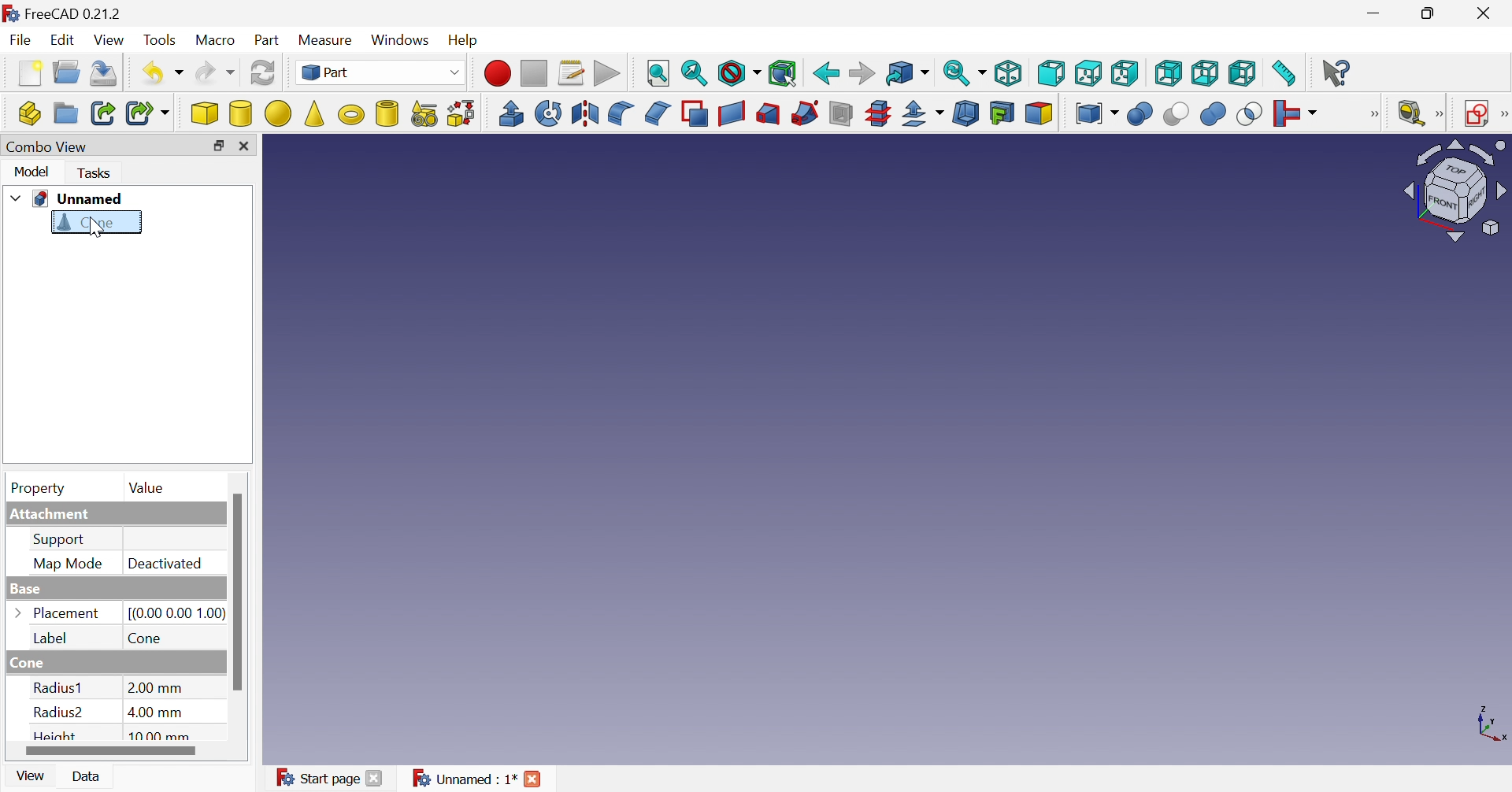 The height and width of the screenshot is (792, 1512). Describe the element at coordinates (547, 113) in the screenshot. I see `Revolve` at that location.